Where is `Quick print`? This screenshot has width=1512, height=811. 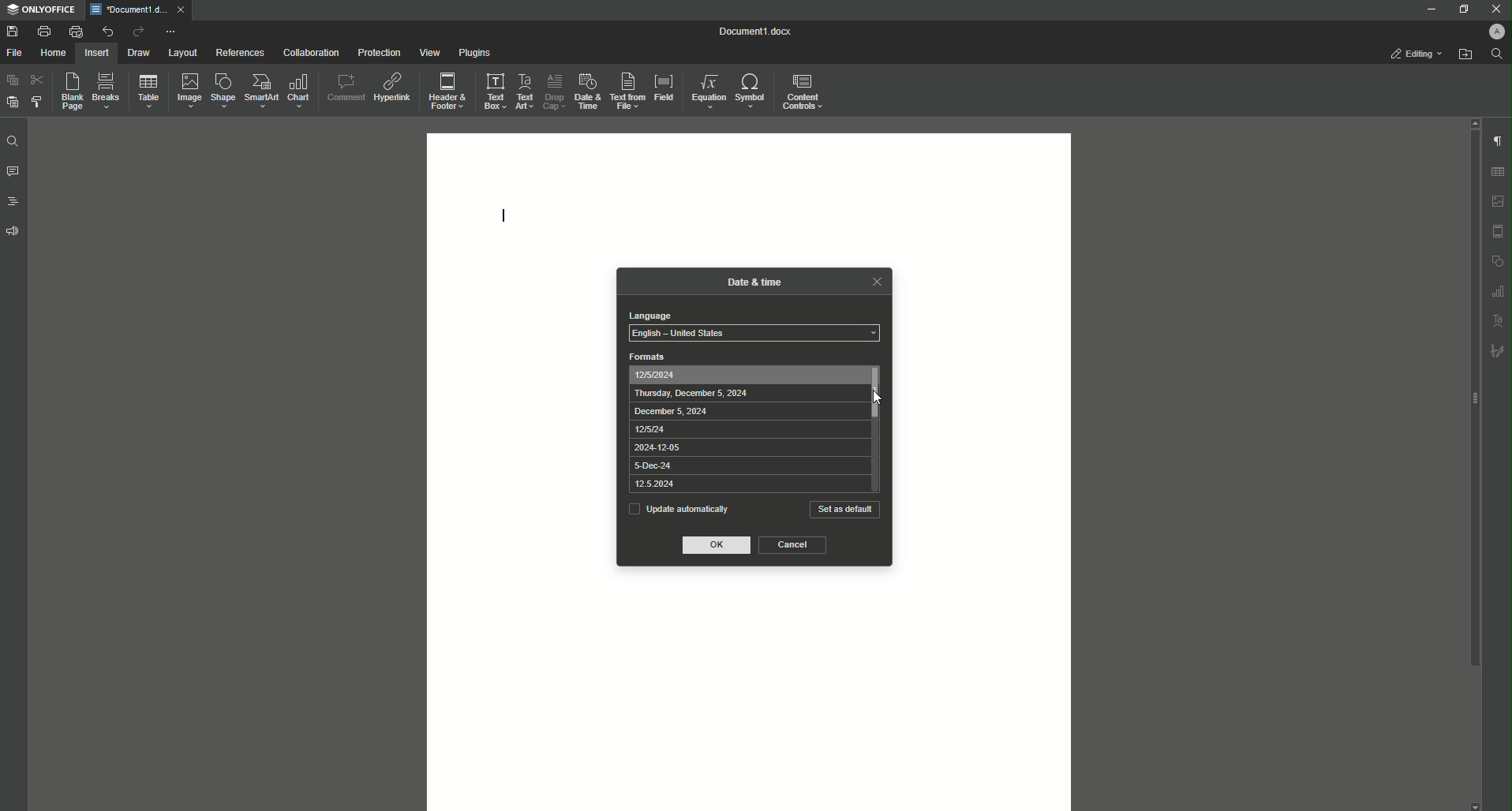 Quick print is located at coordinates (75, 32).